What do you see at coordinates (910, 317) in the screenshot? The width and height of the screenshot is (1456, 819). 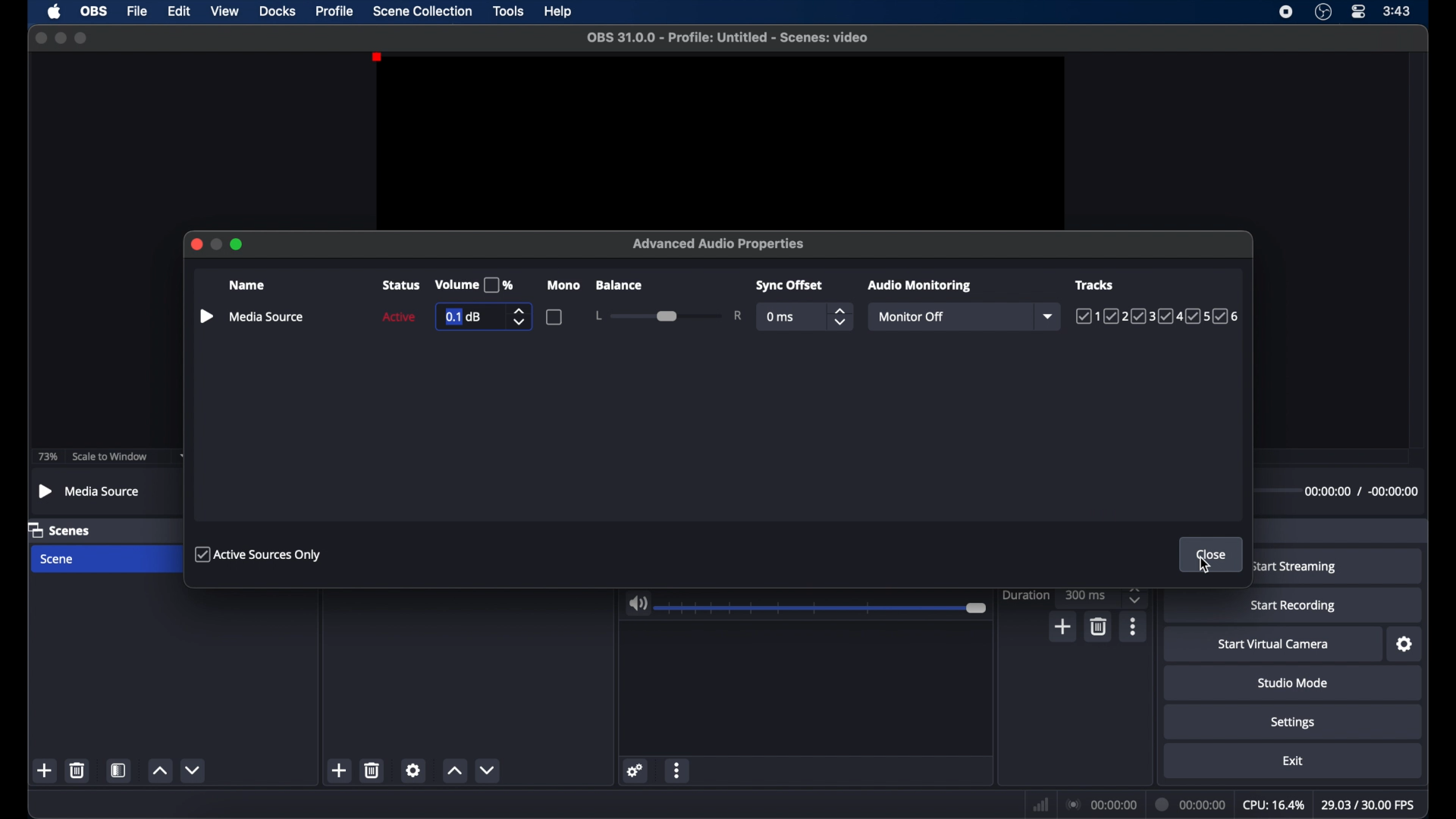 I see `monitor off` at bounding box center [910, 317].